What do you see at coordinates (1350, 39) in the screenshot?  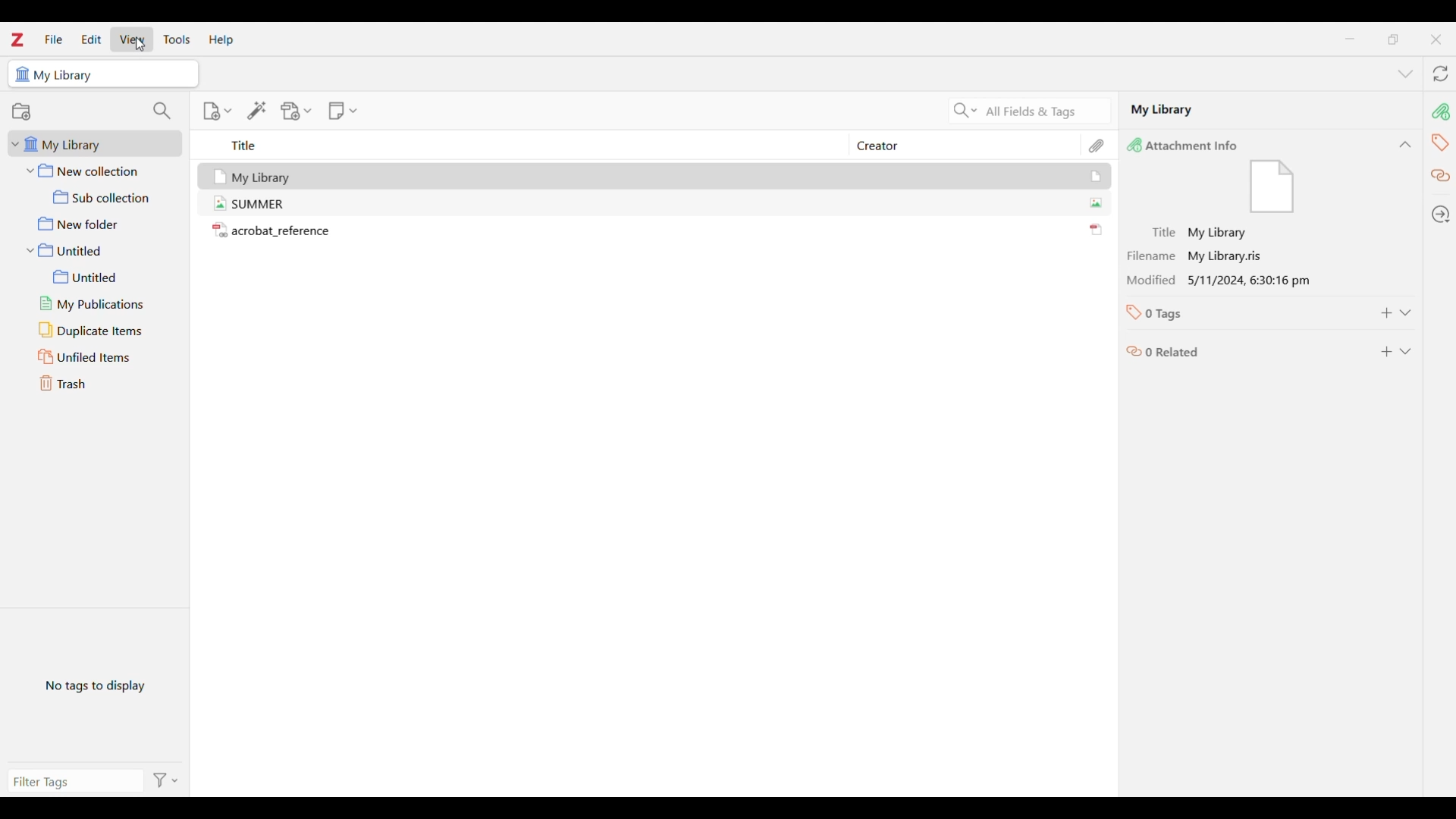 I see `Minimize` at bounding box center [1350, 39].